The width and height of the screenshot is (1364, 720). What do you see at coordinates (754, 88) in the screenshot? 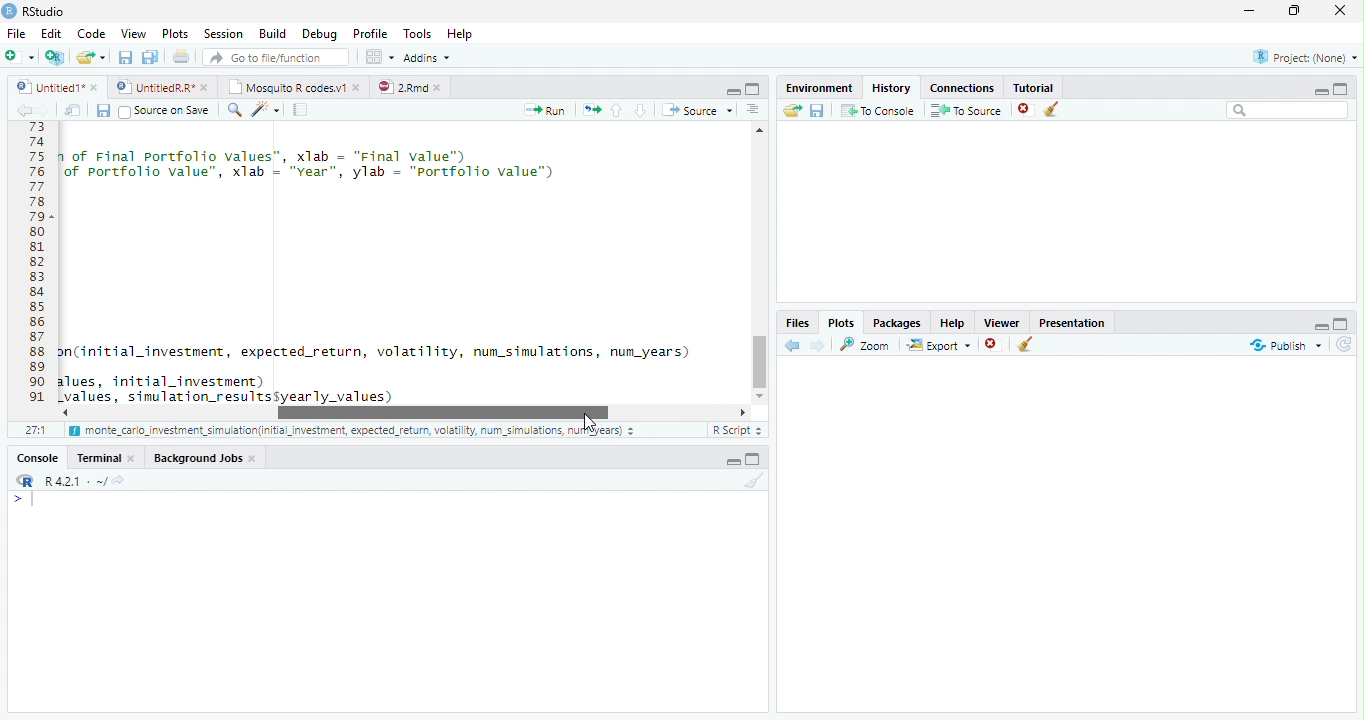
I see `Full Height` at bounding box center [754, 88].